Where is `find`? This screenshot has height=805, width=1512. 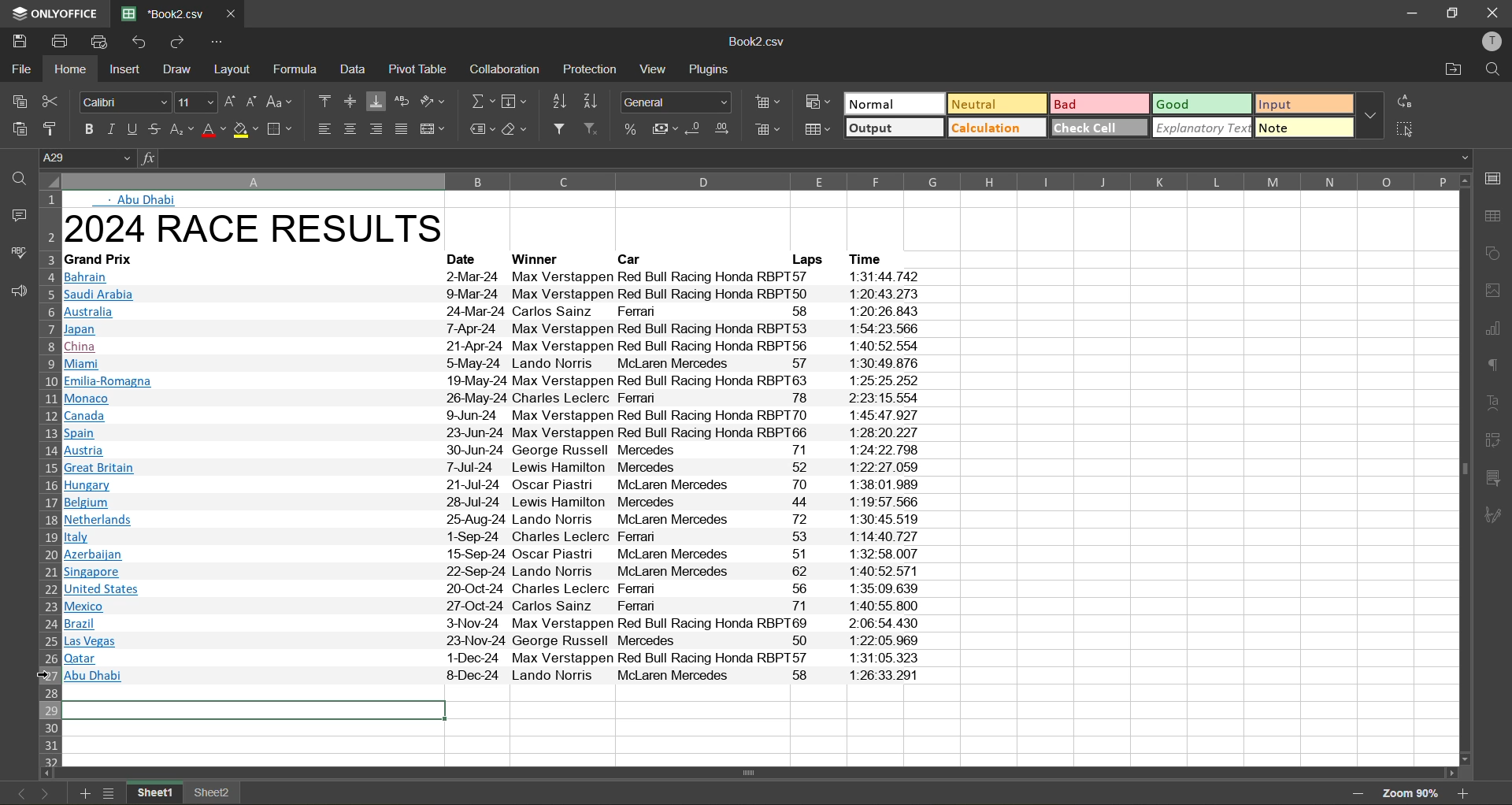 find is located at coordinates (1494, 70).